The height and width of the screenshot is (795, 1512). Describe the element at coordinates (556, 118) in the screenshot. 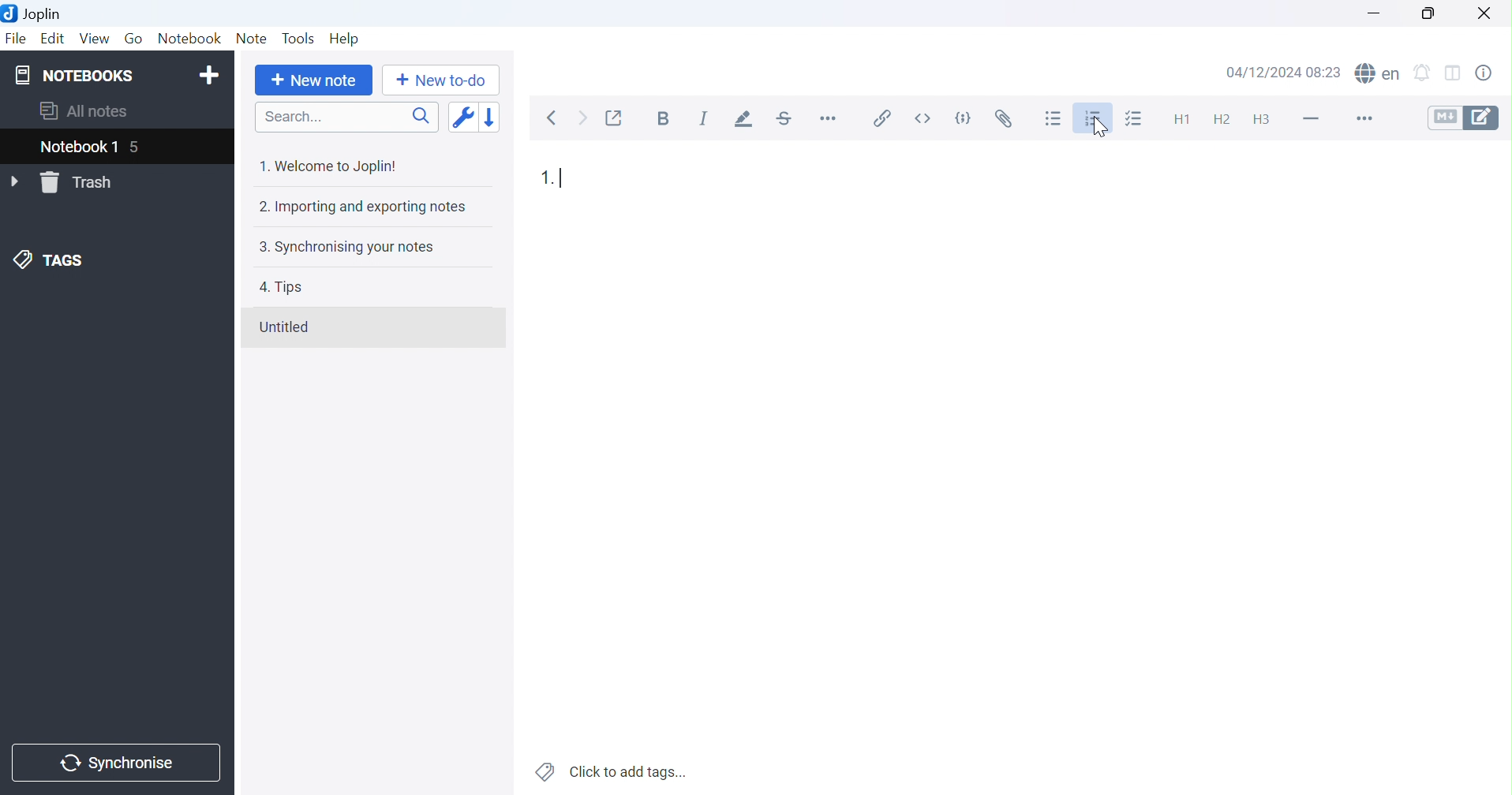

I see `Back` at that location.